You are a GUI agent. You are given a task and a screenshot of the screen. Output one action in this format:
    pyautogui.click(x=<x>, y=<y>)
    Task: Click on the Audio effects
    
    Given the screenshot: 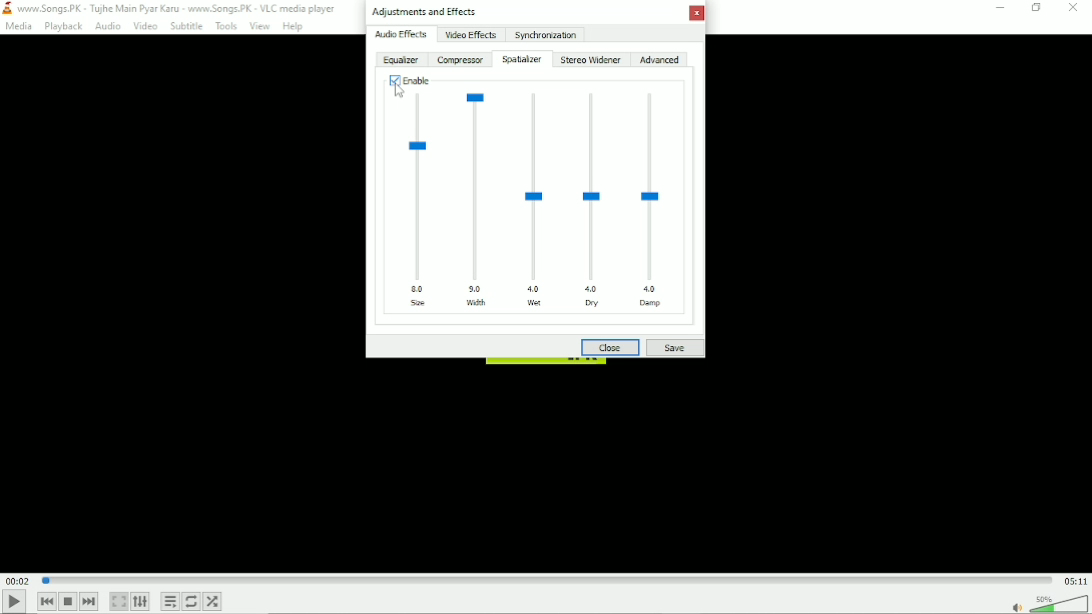 What is the action you would take?
    pyautogui.click(x=401, y=34)
    